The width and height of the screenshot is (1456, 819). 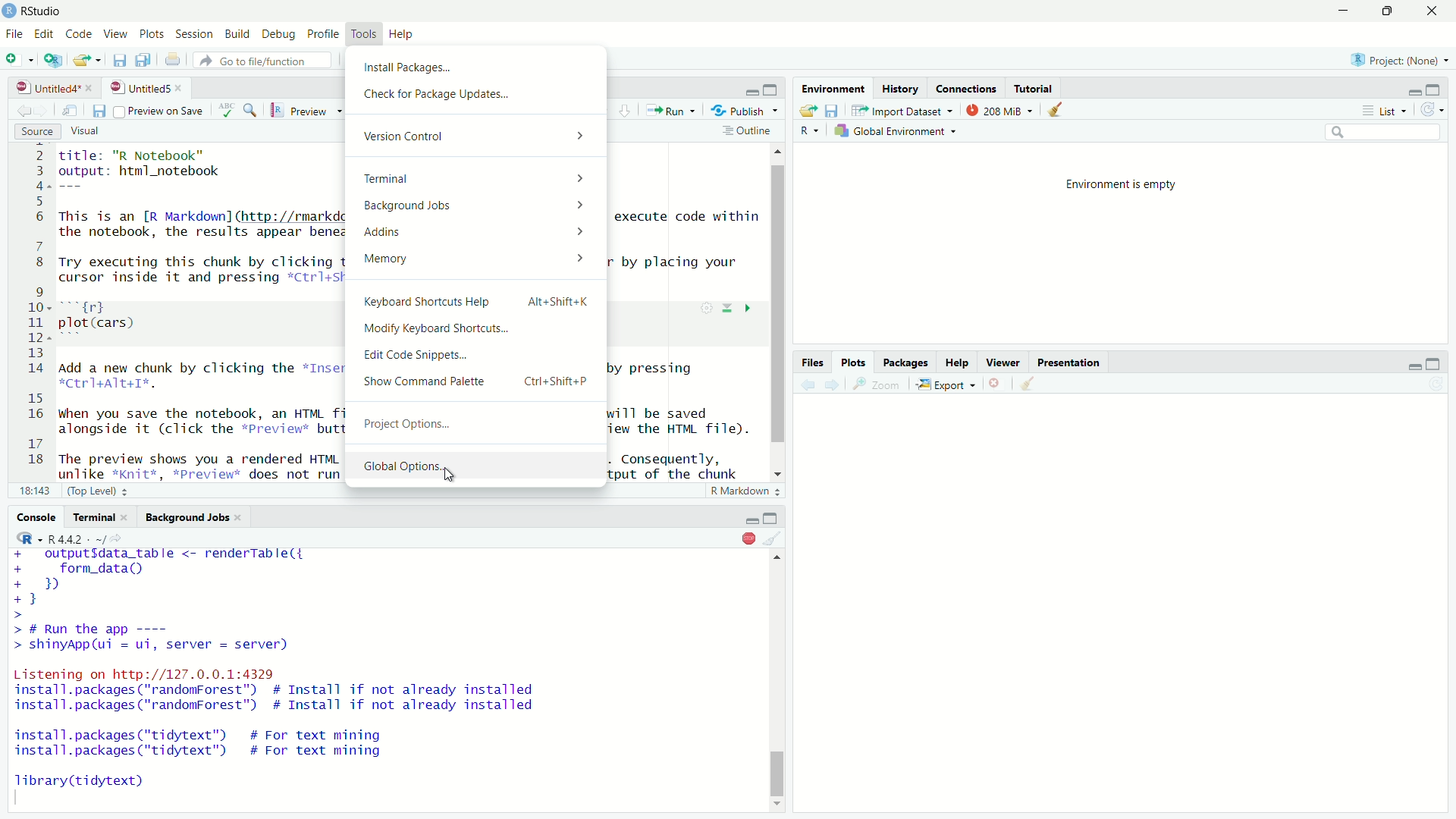 I want to click on minimise, so click(x=1340, y=11).